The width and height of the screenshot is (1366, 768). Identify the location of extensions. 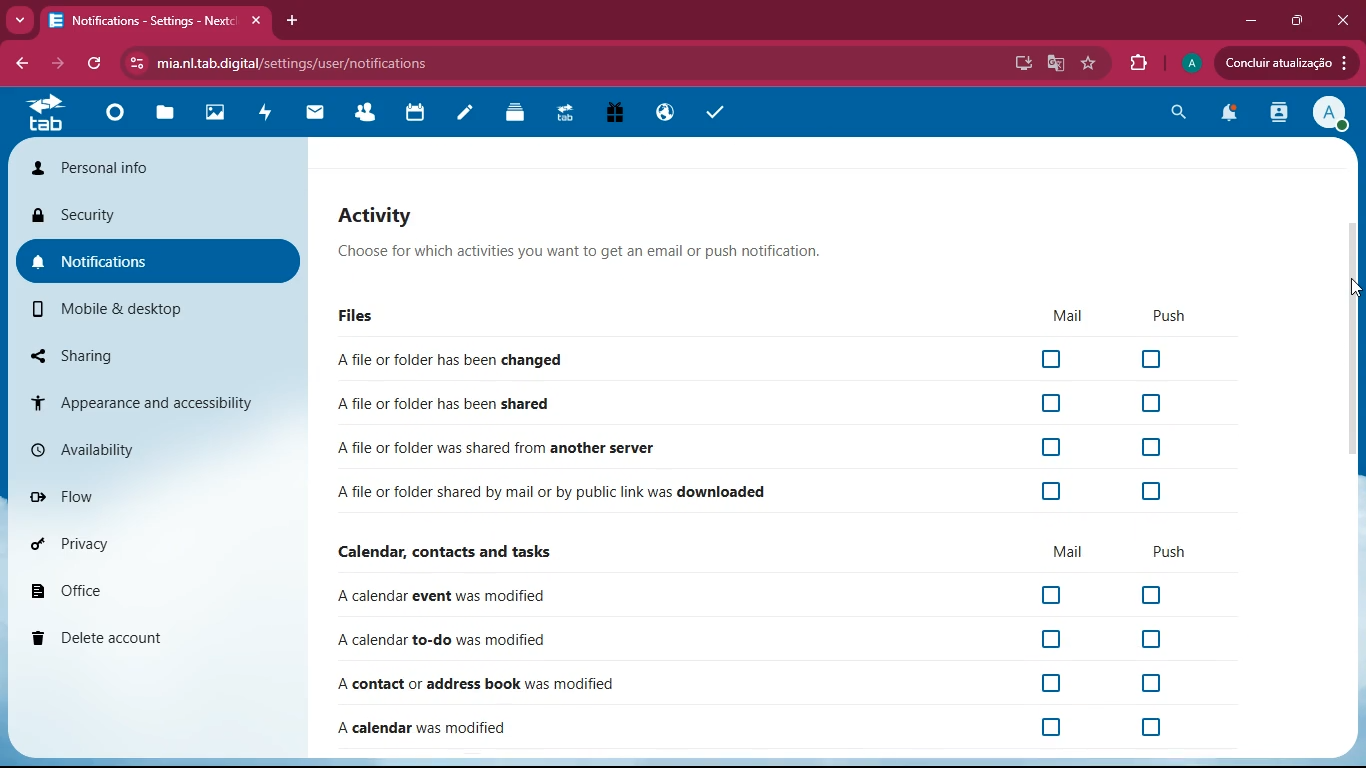
(1140, 63).